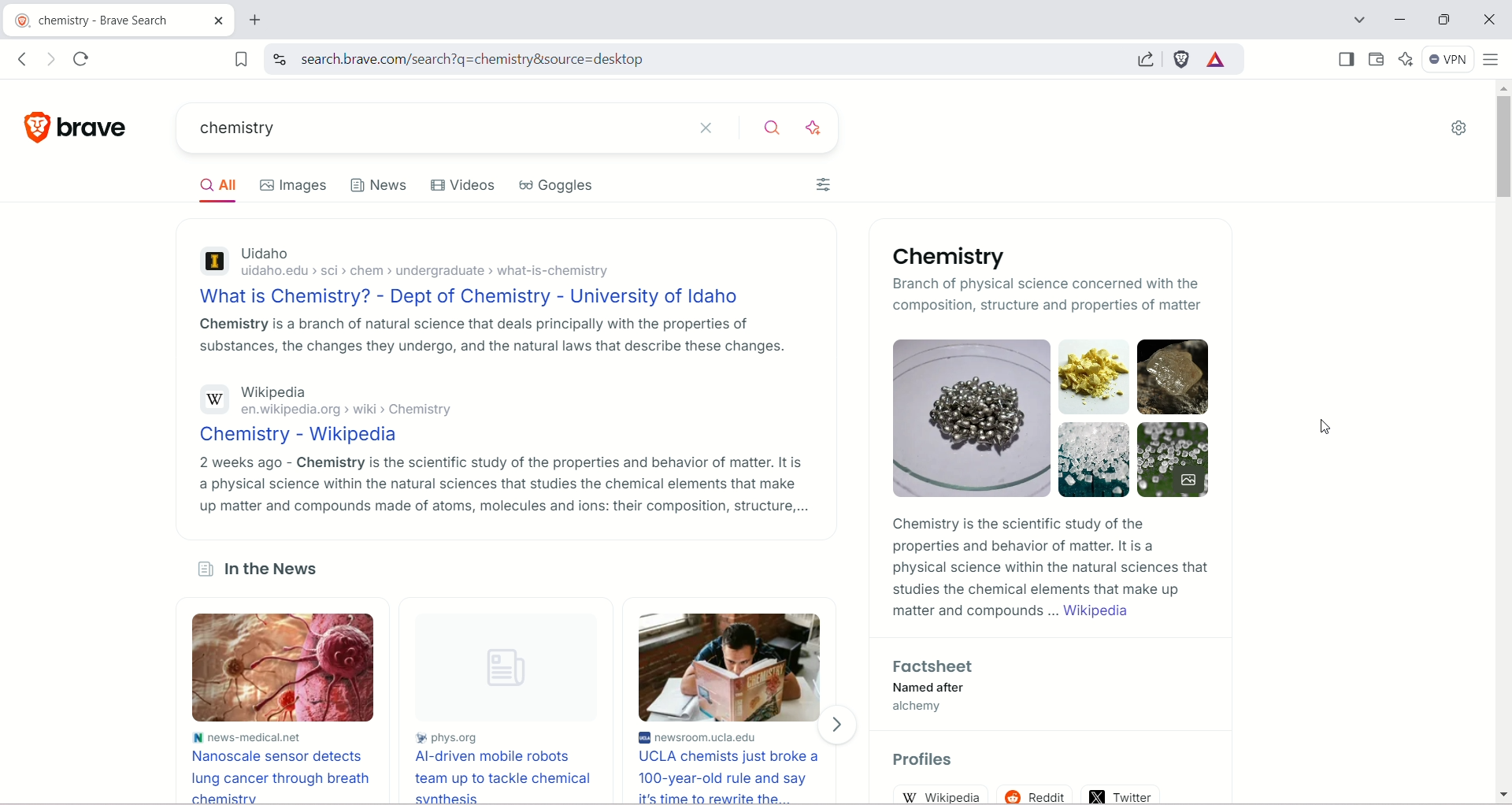 This screenshot has width=1512, height=805. Describe the element at coordinates (816, 127) in the screenshot. I see `answer with AI` at that location.